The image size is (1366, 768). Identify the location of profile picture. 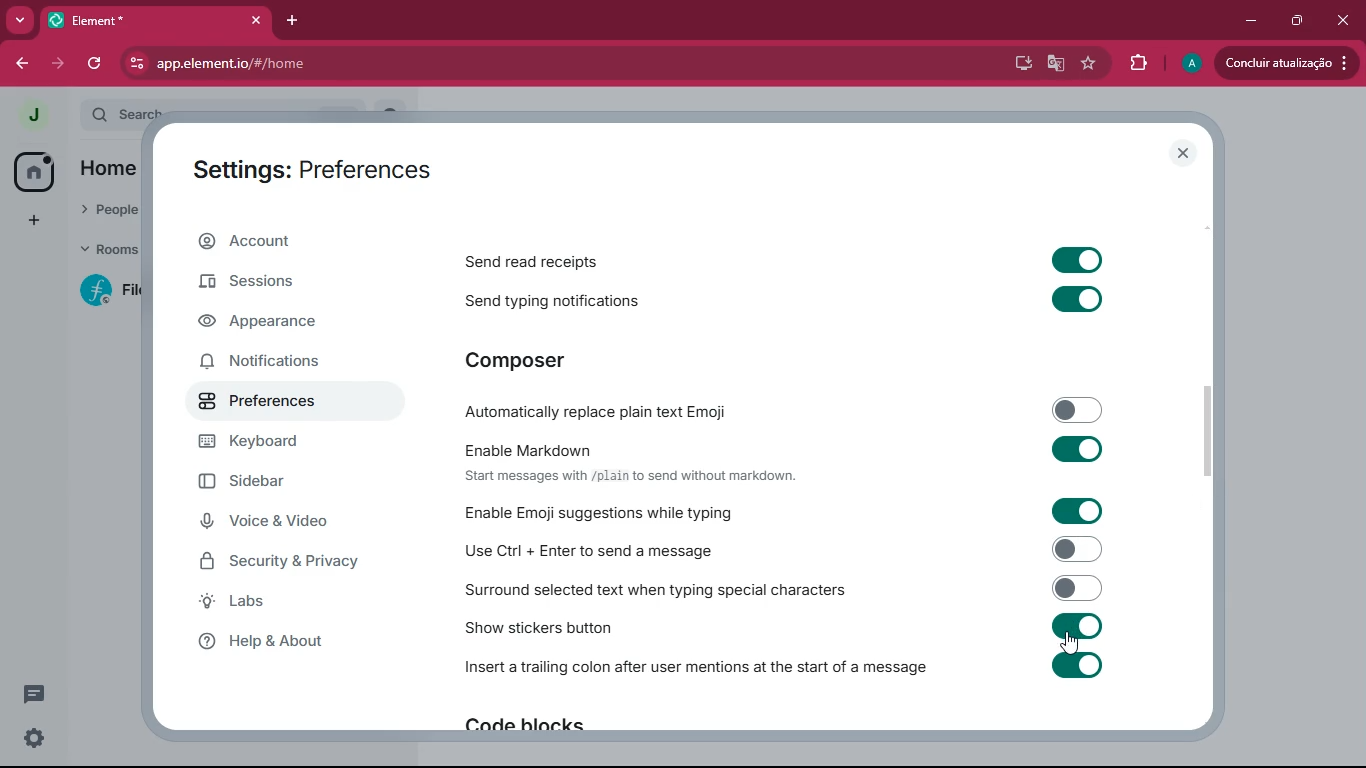
(32, 115).